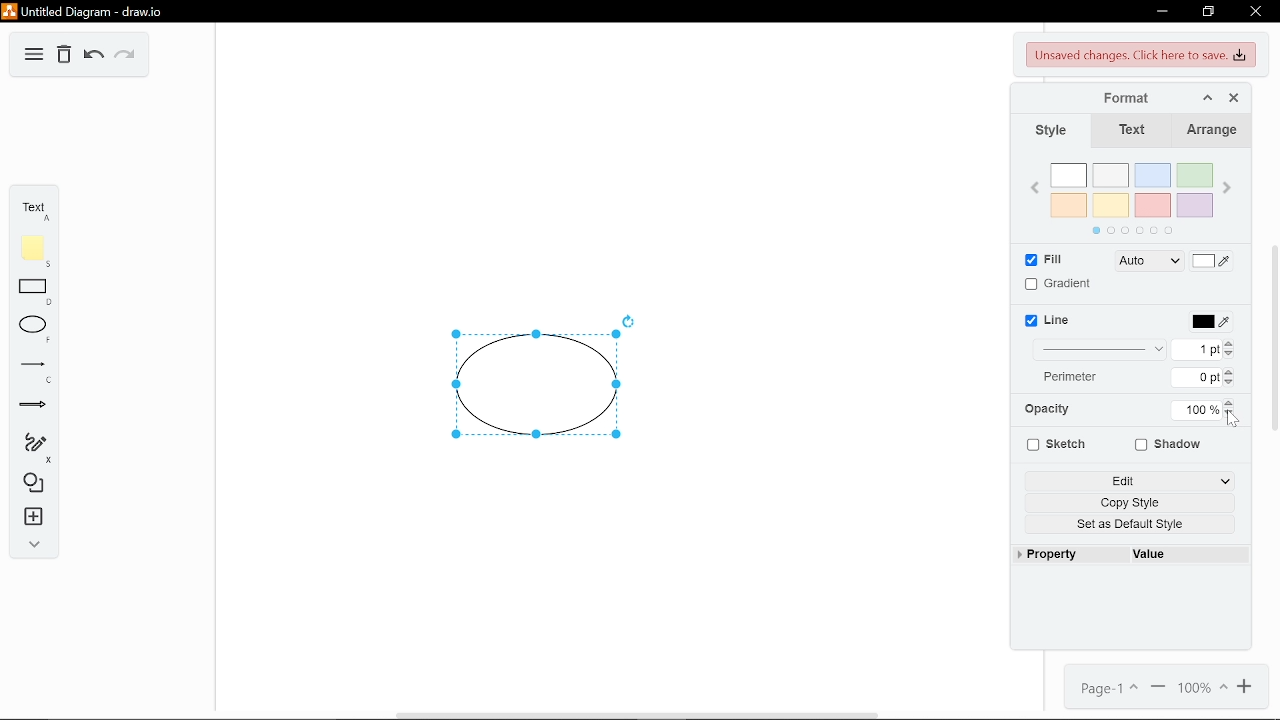  Describe the element at coordinates (1236, 95) in the screenshot. I see `Close` at that location.